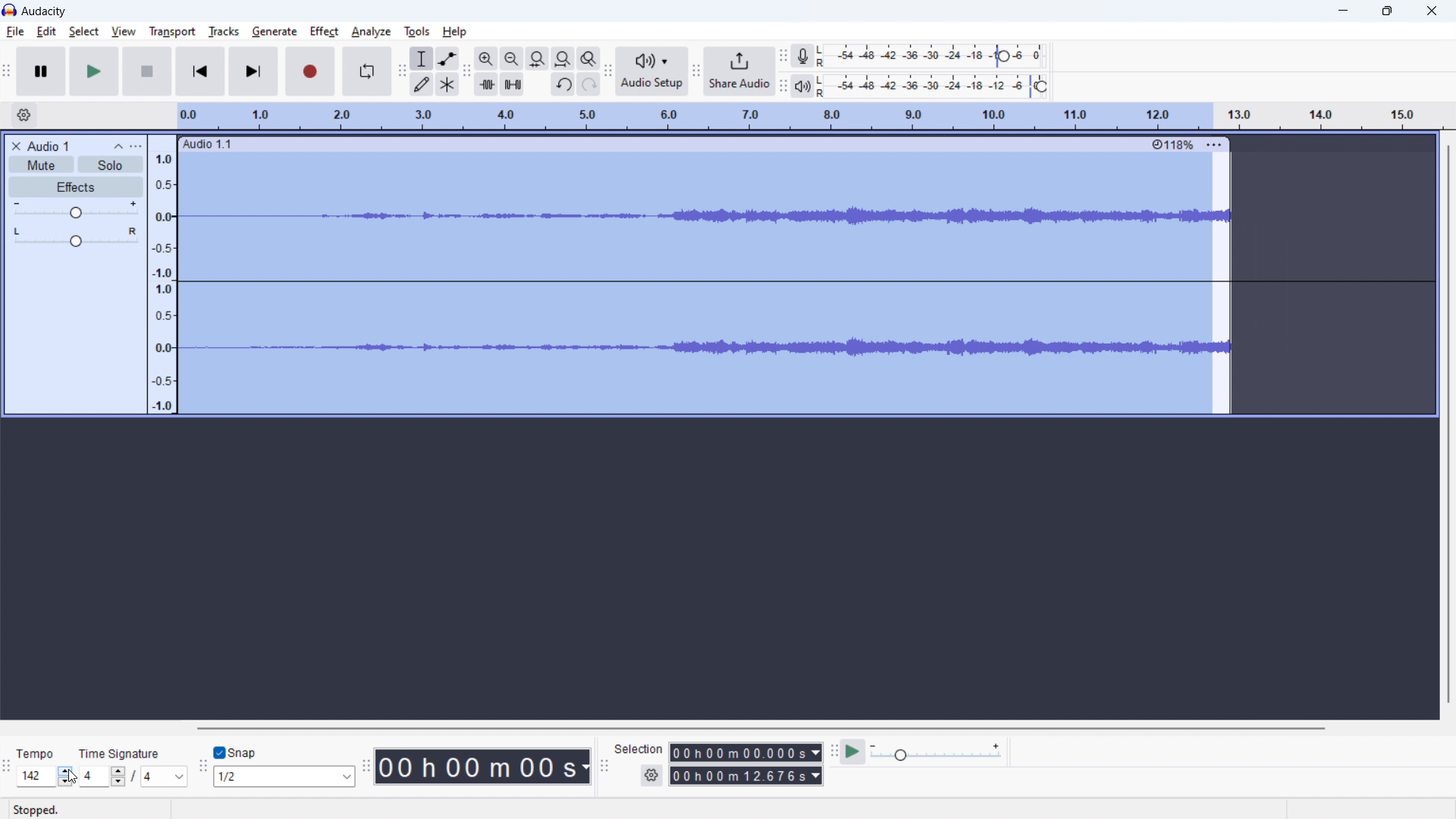 The image size is (1456, 819). What do you see at coordinates (47, 32) in the screenshot?
I see `edit` at bounding box center [47, 32].